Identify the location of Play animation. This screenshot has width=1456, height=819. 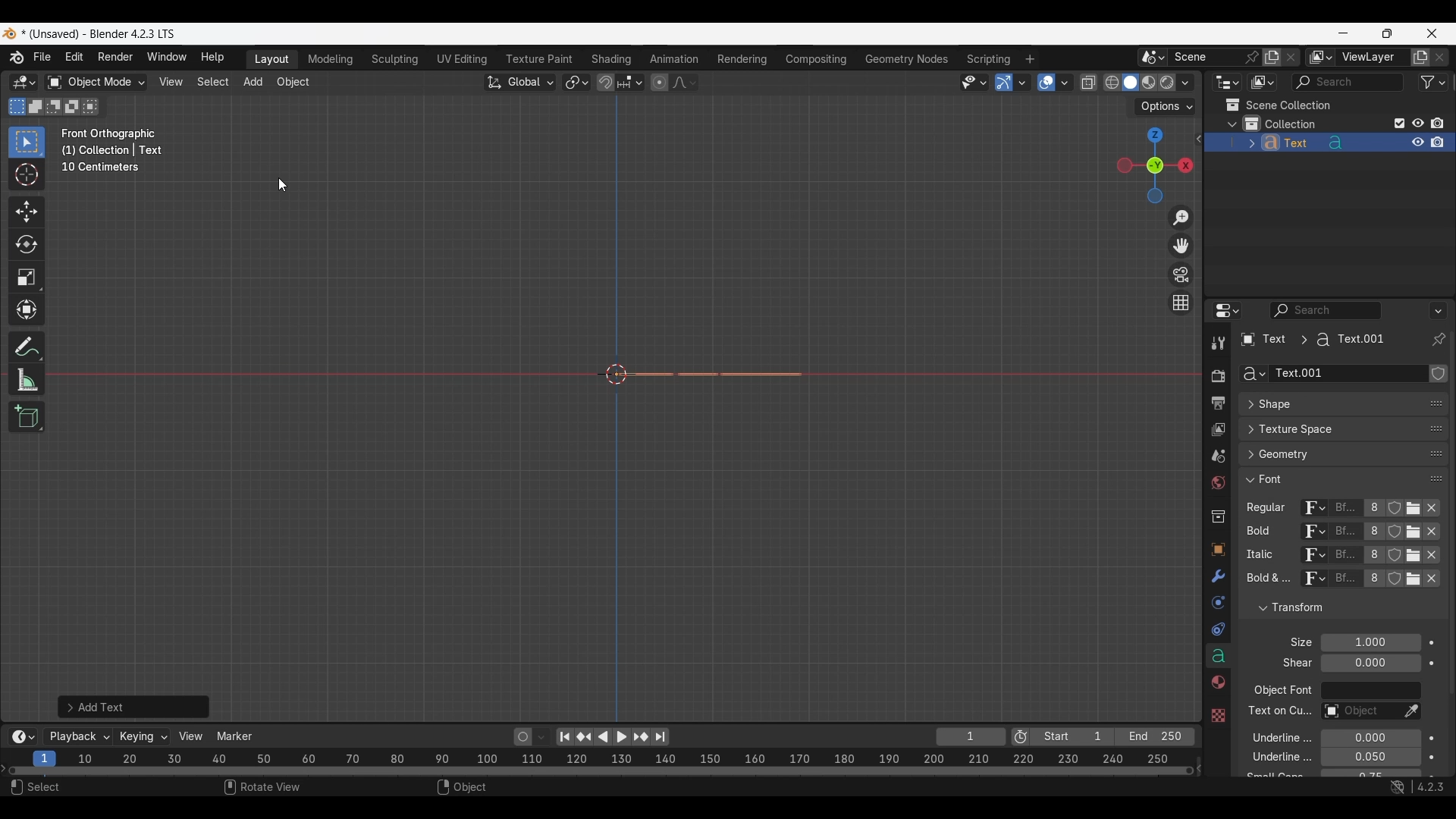
(611, 737).